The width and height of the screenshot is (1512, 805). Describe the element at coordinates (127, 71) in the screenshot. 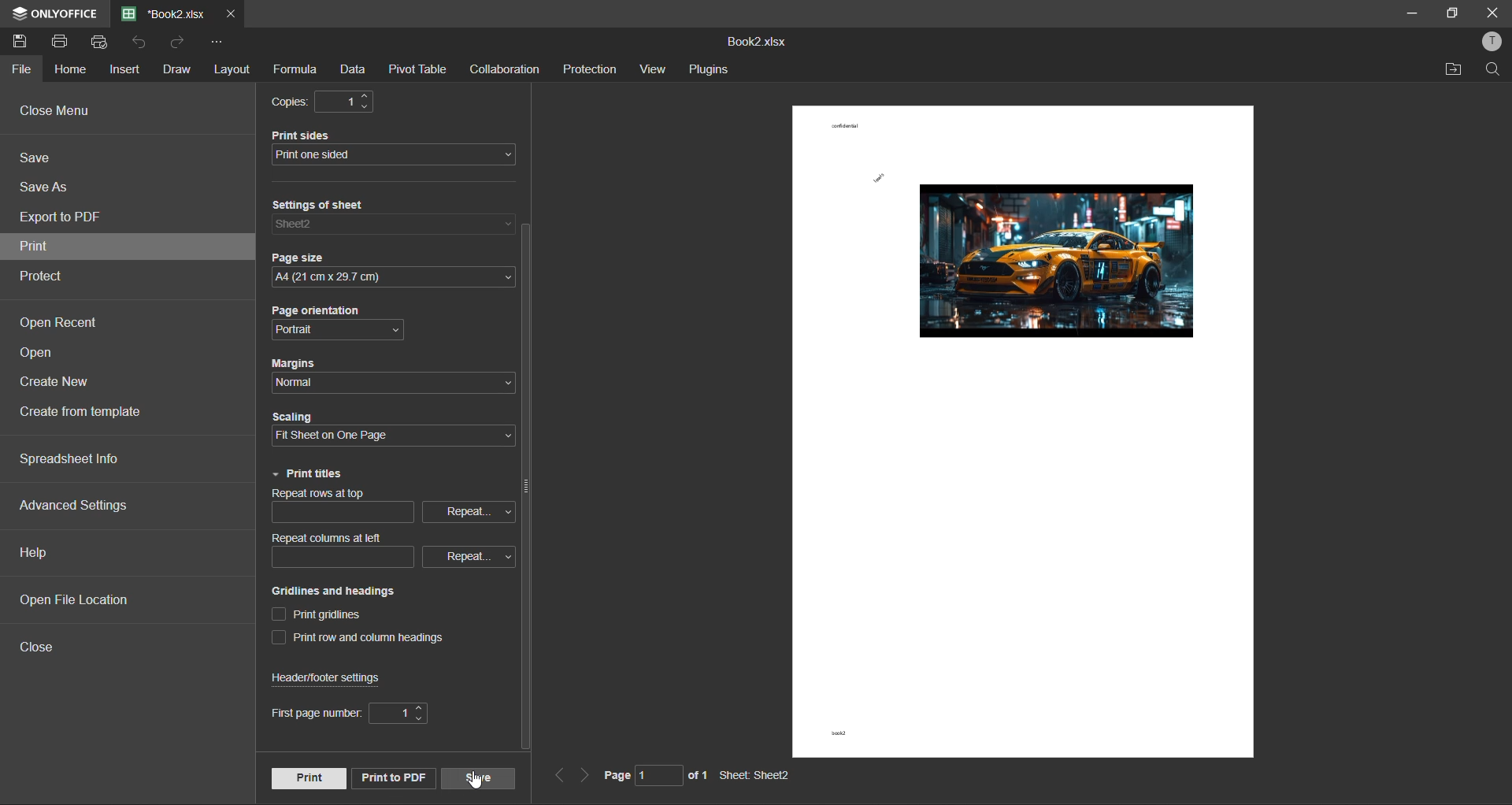

I see `insert` at that location.